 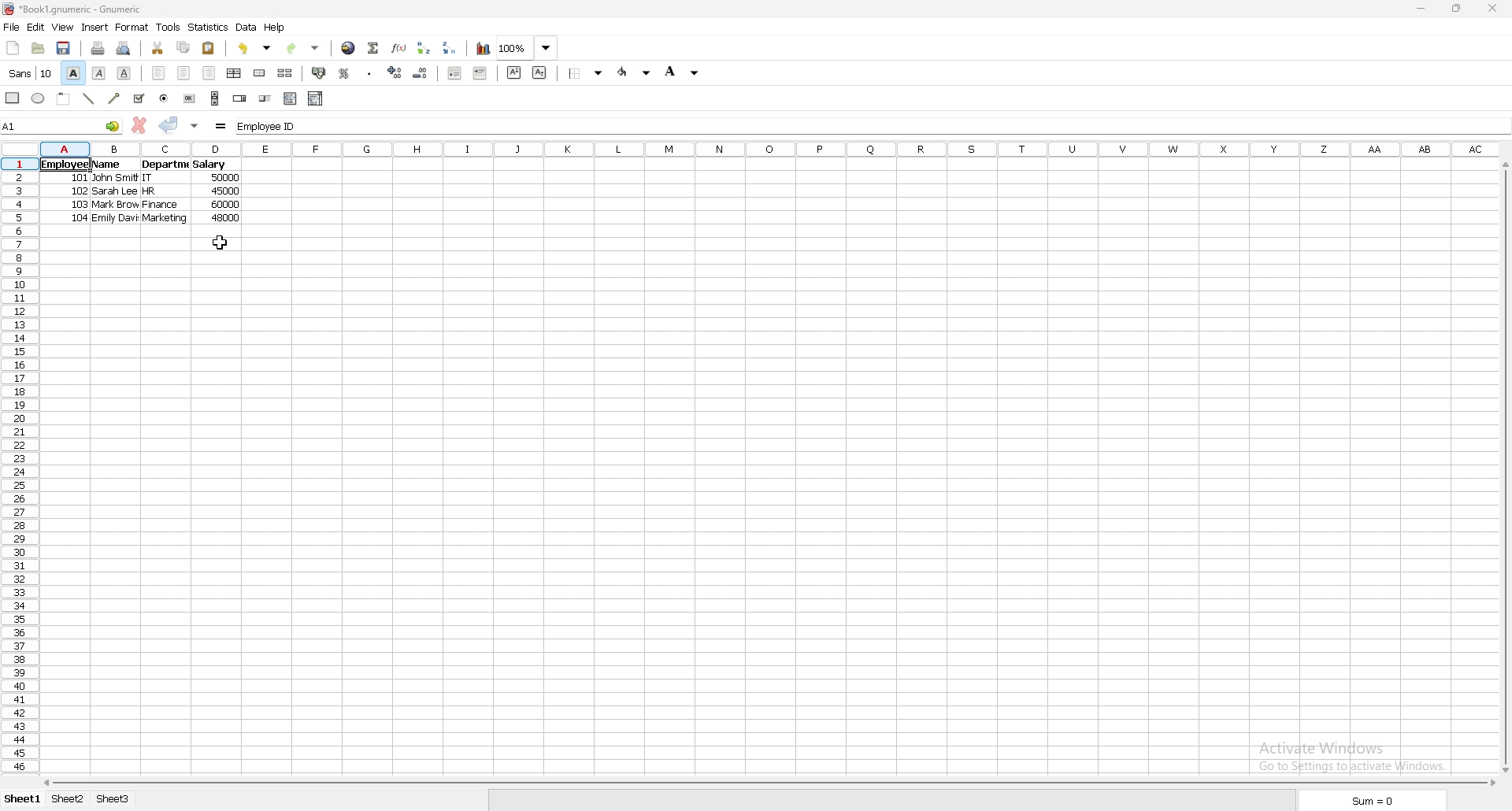 What do you see at coordinates (265, 98) in the screenshot?
I see `slider` at bounding box center [265, 98].